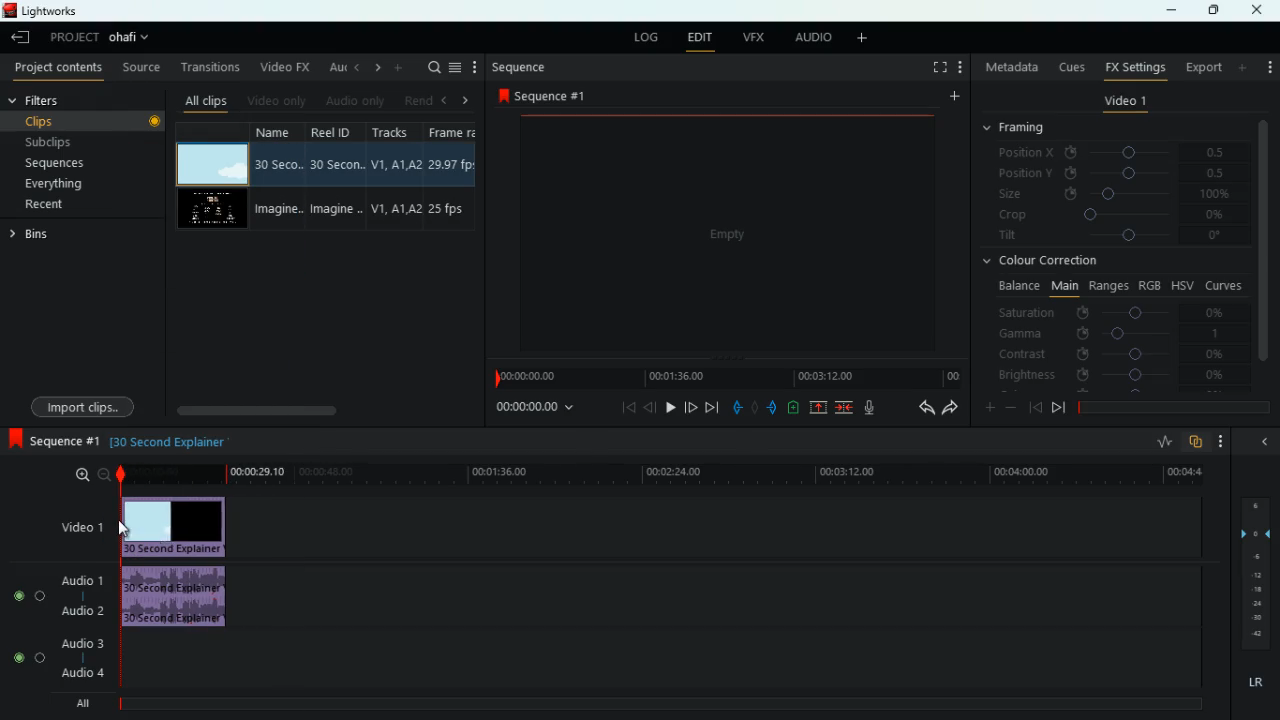 Image resolution: width=1280 pixels, height=720 pixels. What do you see at coordinates (30, 595) in the screenshot?
I see `Audio` at bounding box center [30, 595].